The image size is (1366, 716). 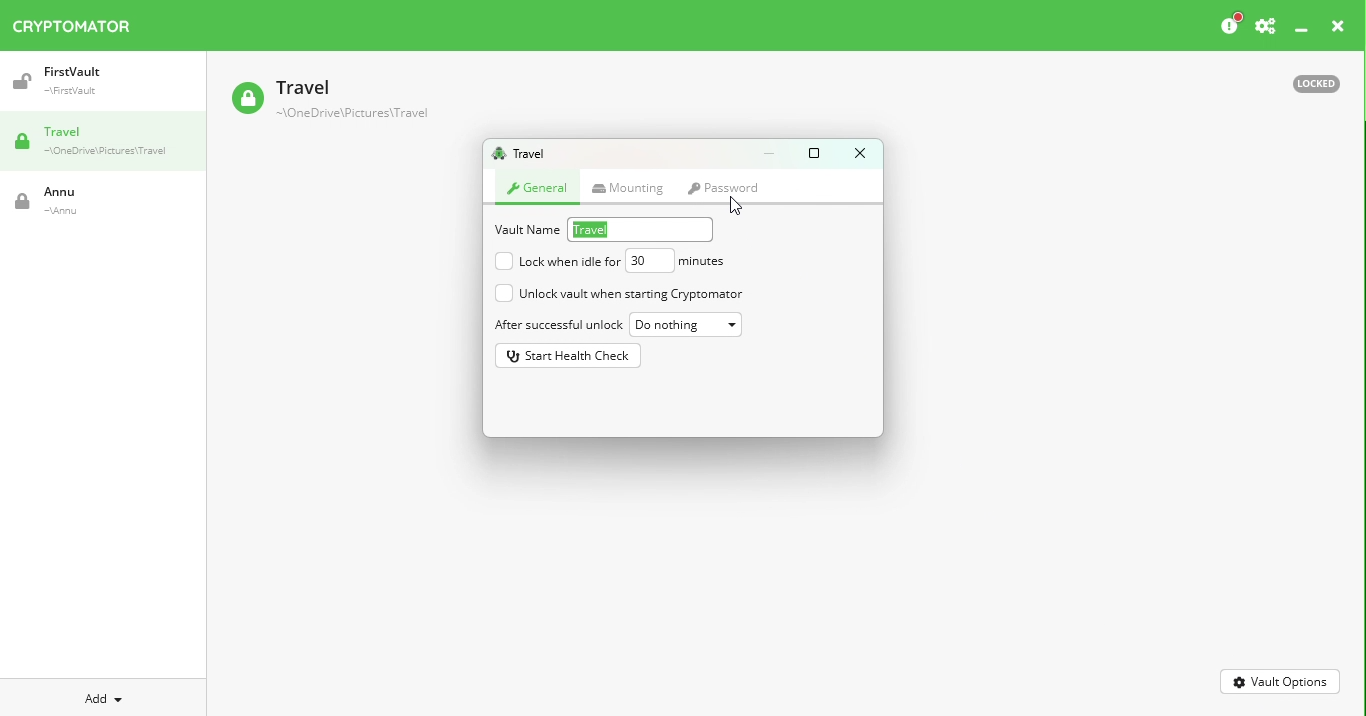 What do you see at coordinates (1281, 680) in the screenshot?
I see `Vault options` at bounding box center [1281, 680].